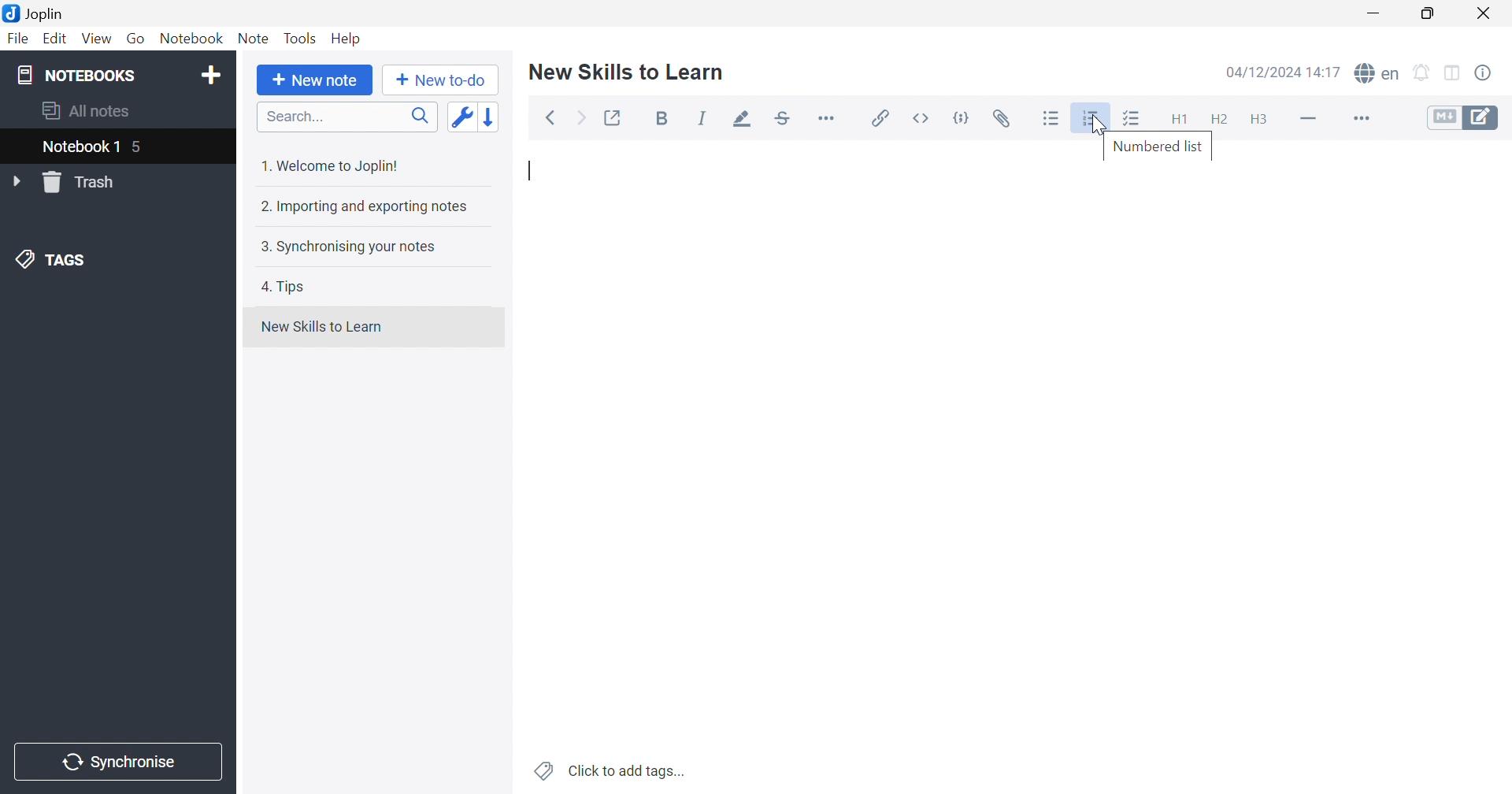 This screenshot has width=1512, height=794. Describe the element at coordinates (94, 39) in the screenshot. I see `View` at that location.